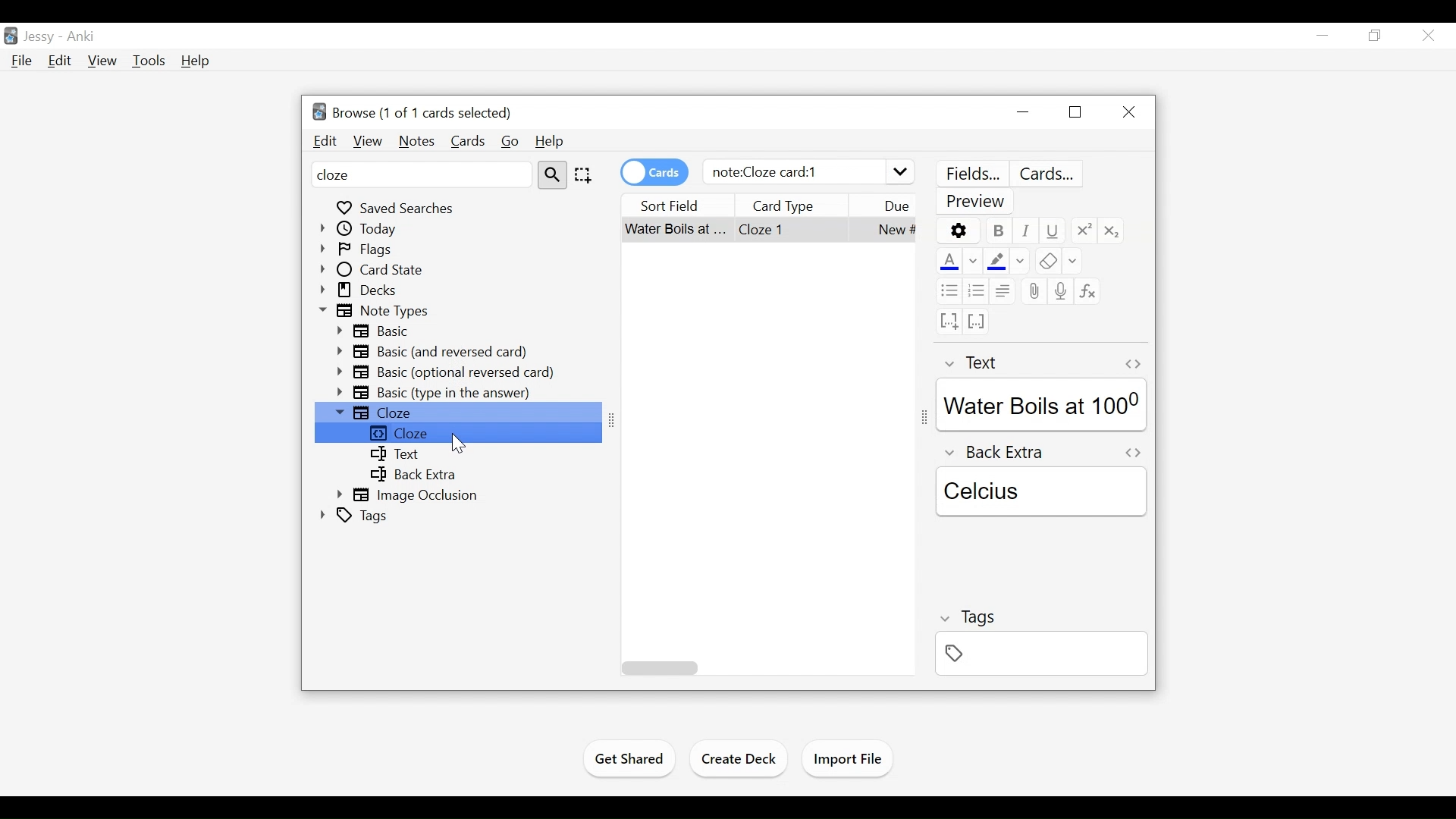 This screenshot has width=1456, height=819. What do you see at coordinates (83, 38) in the screenshot?
I see `Anki` at bounding box center [83, 38].